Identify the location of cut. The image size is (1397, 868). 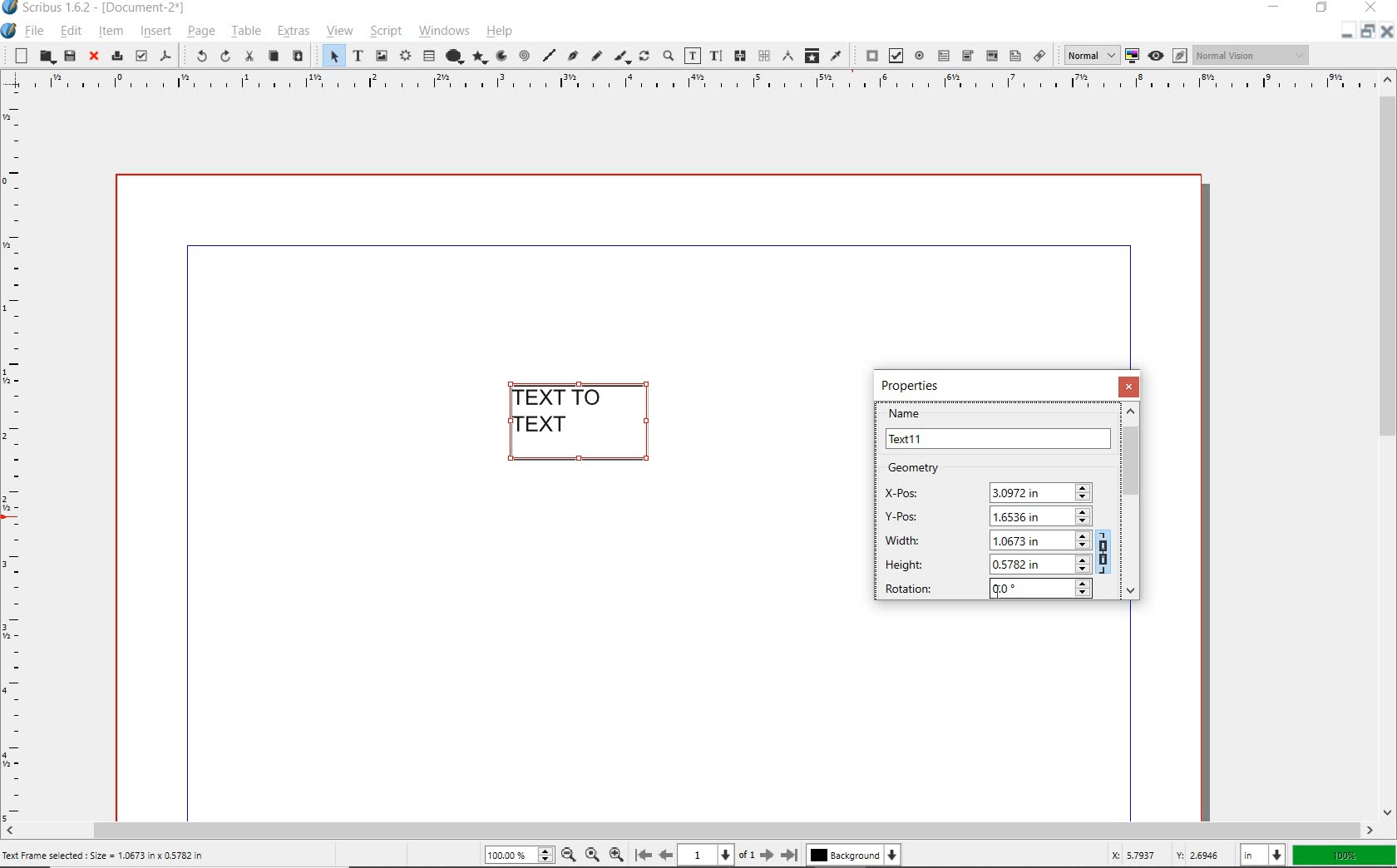
(248, 57).